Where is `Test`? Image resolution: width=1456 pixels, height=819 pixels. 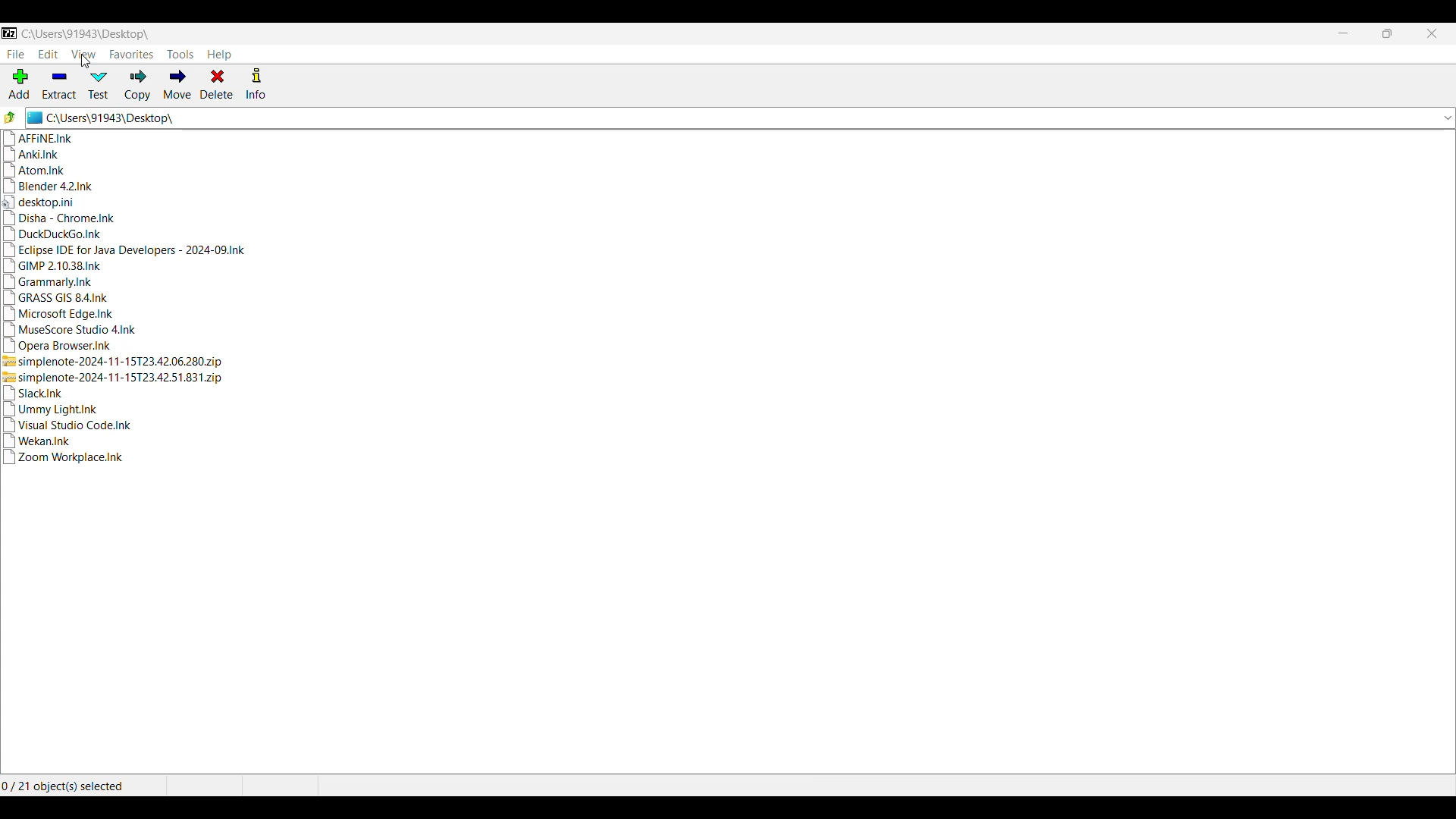
Test is located at coordinates (99, 86).